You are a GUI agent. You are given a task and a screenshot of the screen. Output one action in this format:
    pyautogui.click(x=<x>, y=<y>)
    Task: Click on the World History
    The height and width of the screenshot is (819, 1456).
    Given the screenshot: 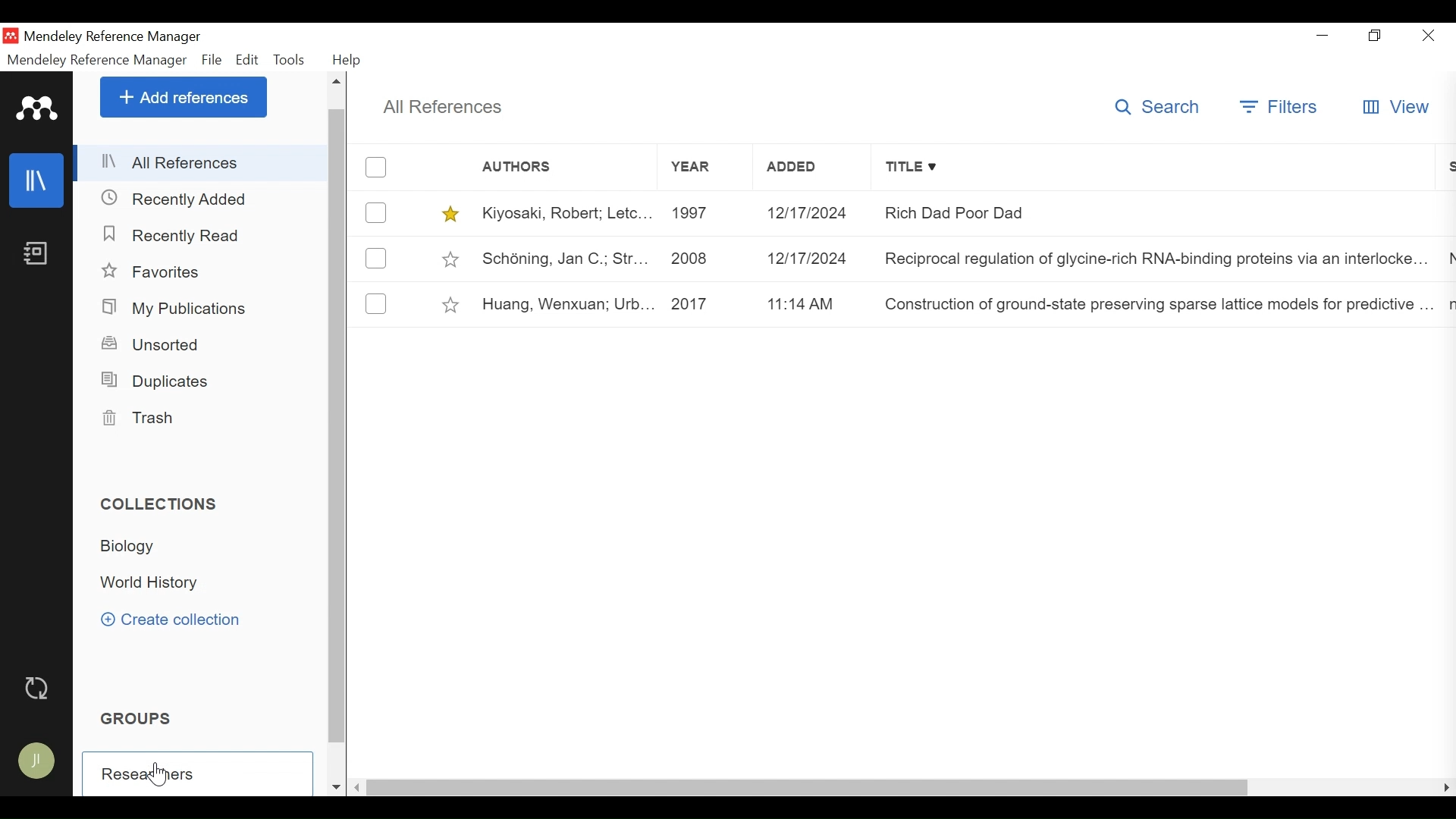 What is the action you would take?
    pyautogui.click(x=161, y=582)
    